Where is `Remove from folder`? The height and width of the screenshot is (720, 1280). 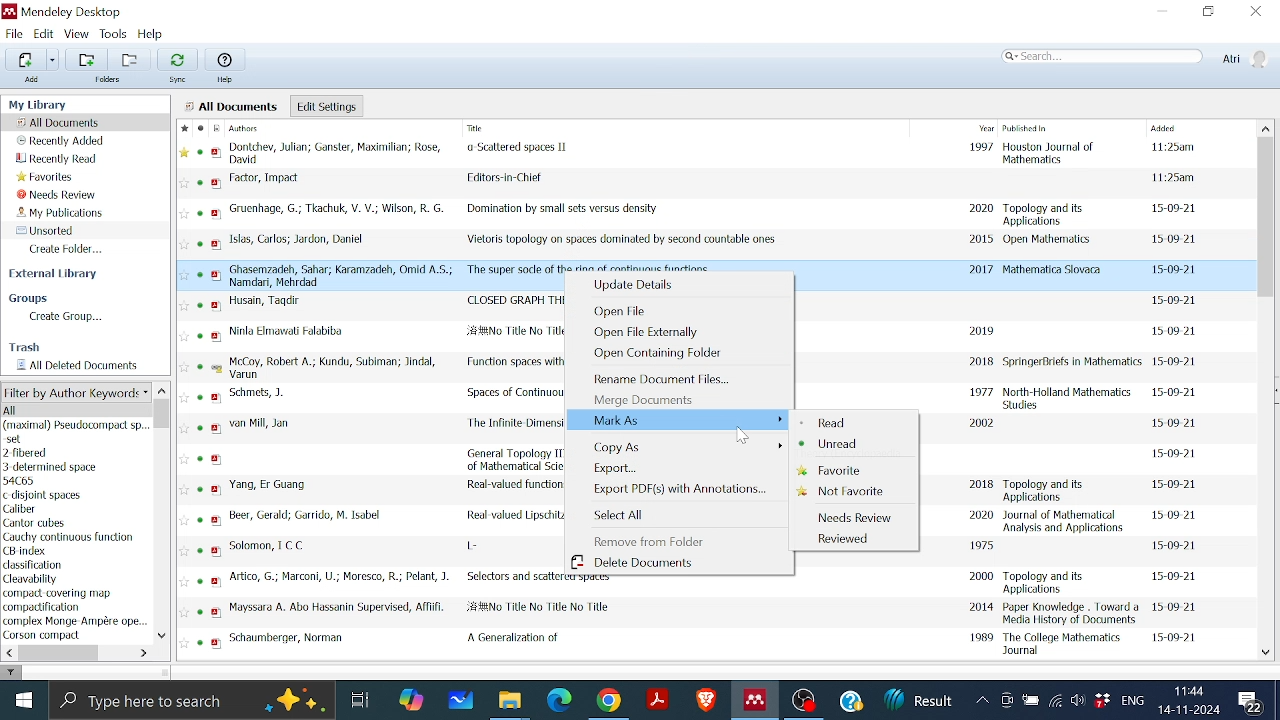
Remove from folder is located at coordinates (657, 541).